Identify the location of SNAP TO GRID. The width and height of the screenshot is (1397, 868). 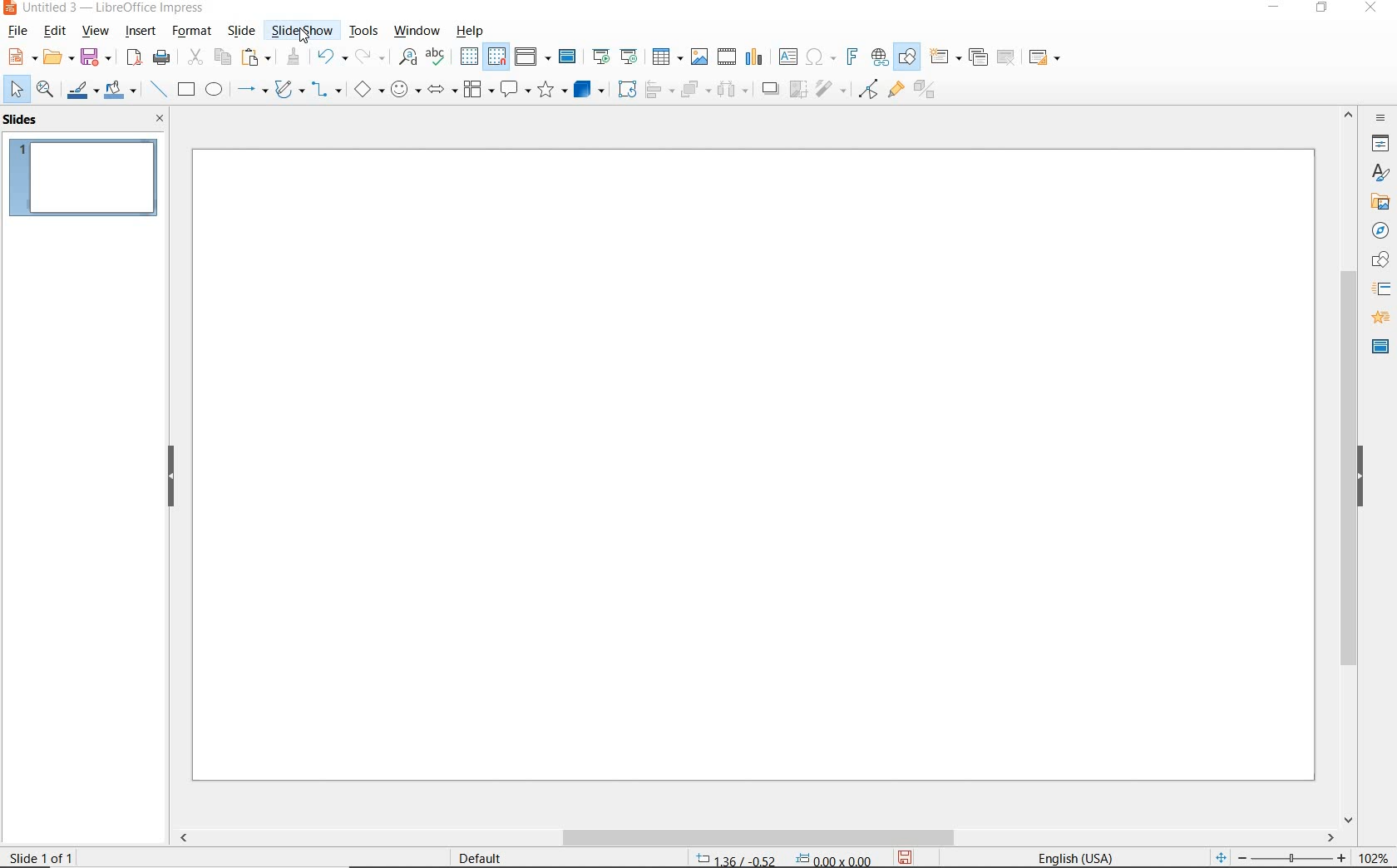
(500, 57).